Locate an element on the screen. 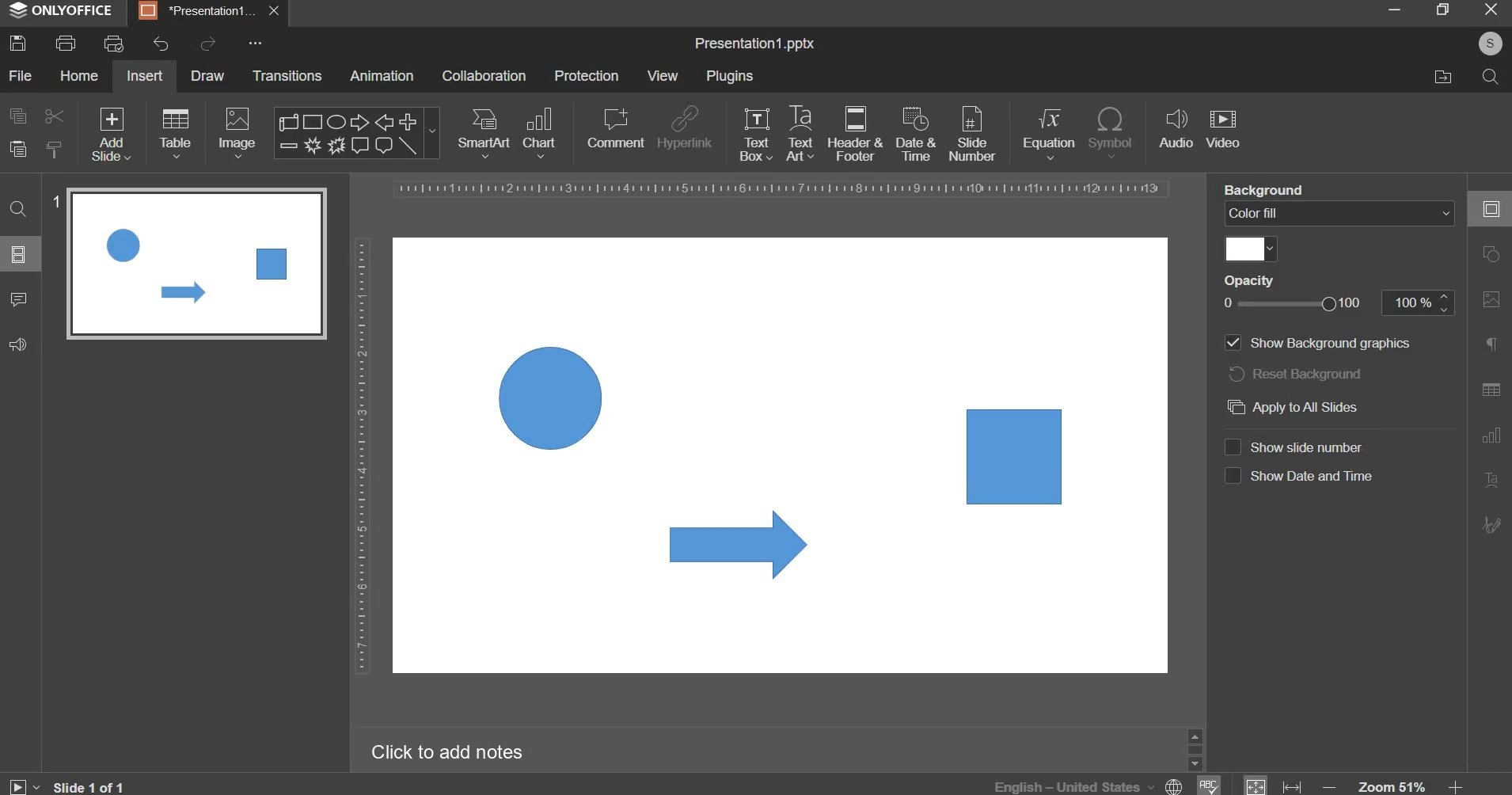 The width and height of the screenshot is (1512, 795). text art is located at coordinates (800, 133).